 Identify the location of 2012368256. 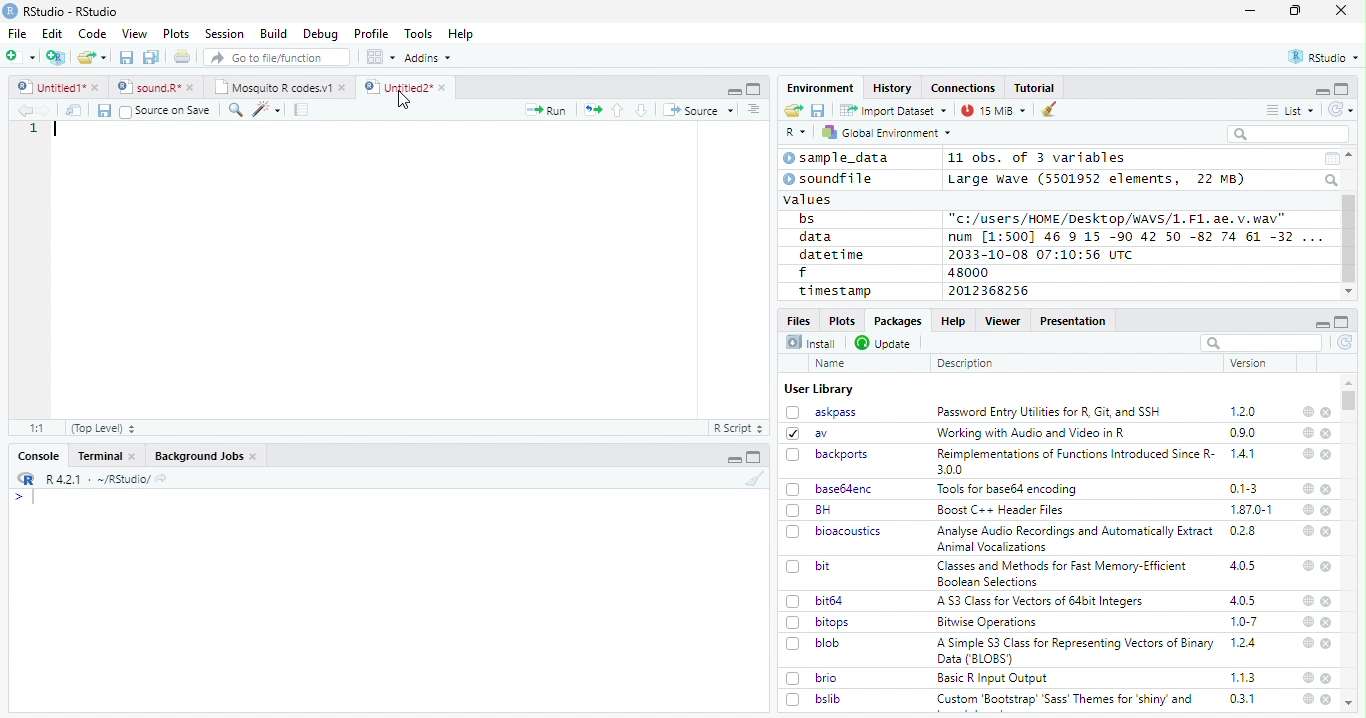
(992, 291).